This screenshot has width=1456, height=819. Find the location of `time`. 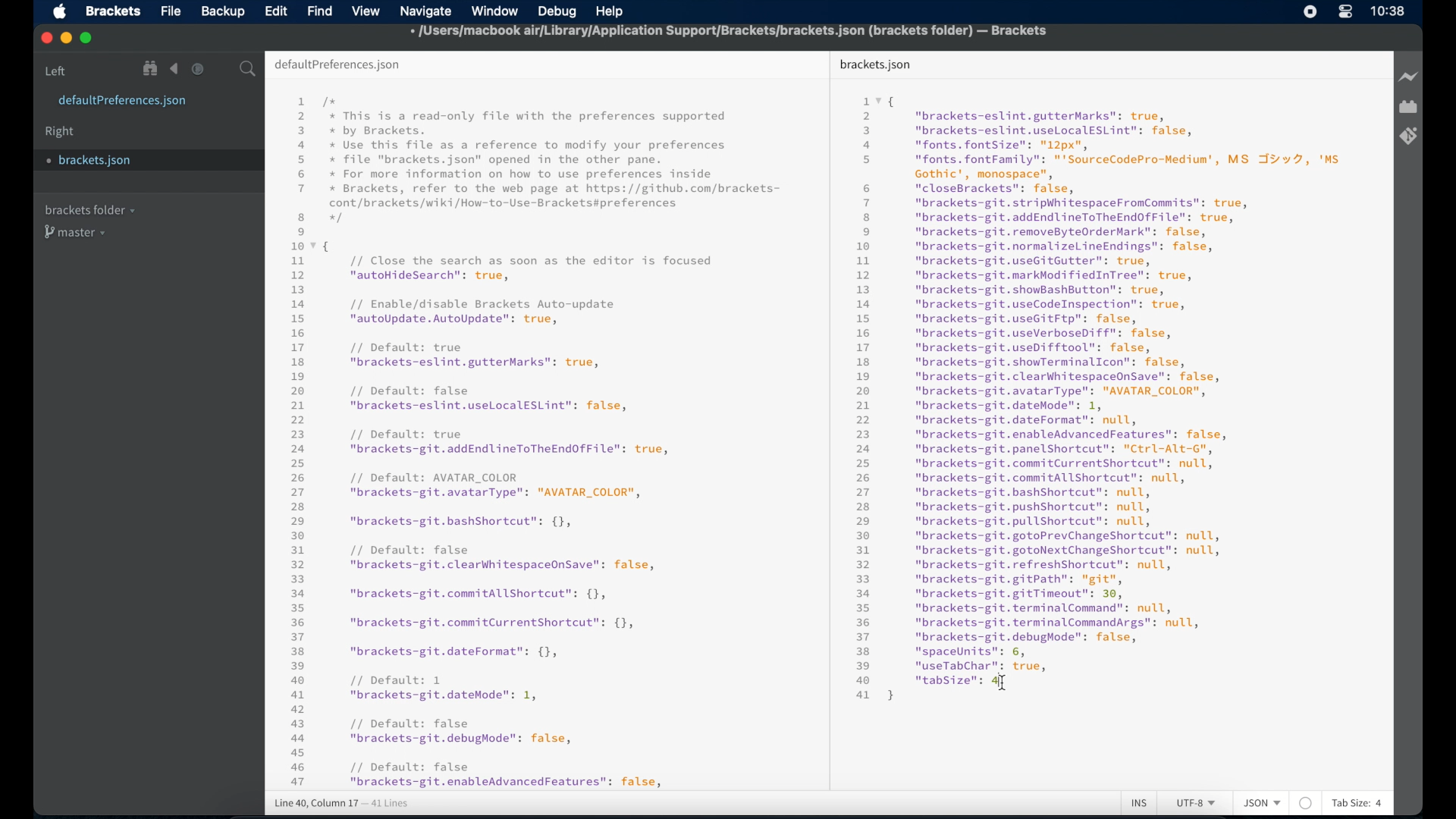

time is located at coordinates (1388, 11).